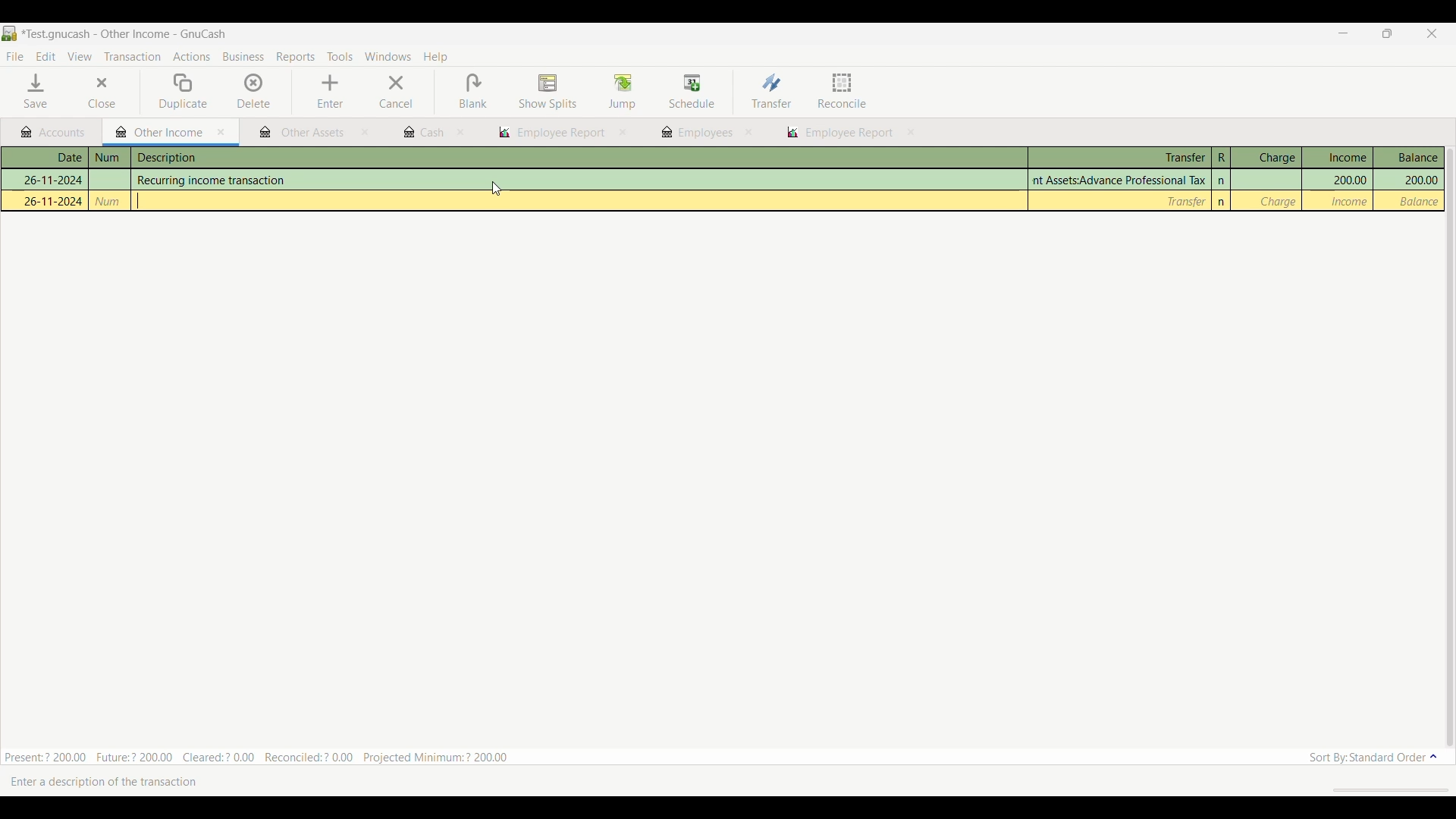  I want to click on Software logo, so click(10, 33).